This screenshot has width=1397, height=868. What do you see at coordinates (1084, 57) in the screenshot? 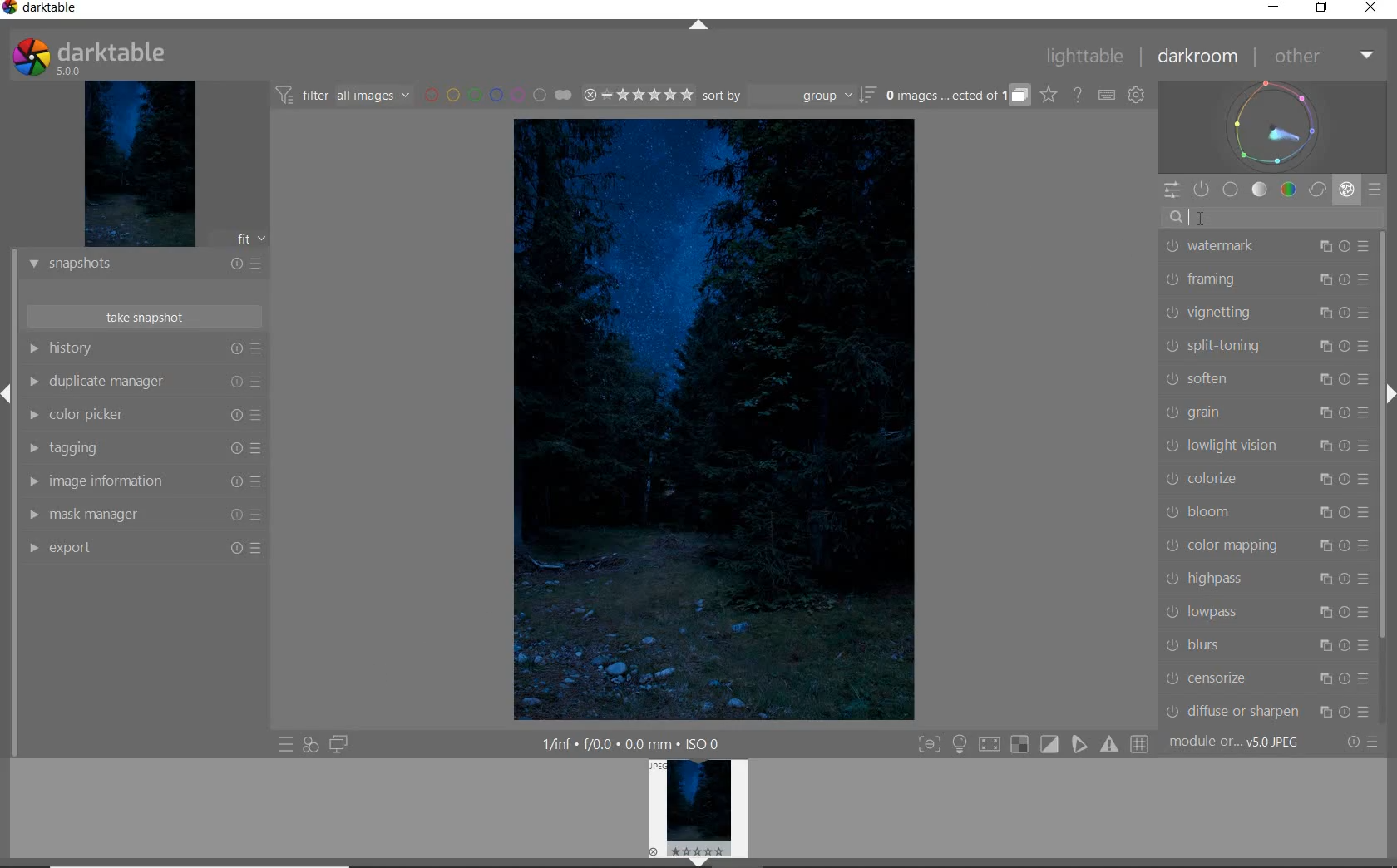
I see `LIGHTTABLE` at bounding box center [1084, 57].